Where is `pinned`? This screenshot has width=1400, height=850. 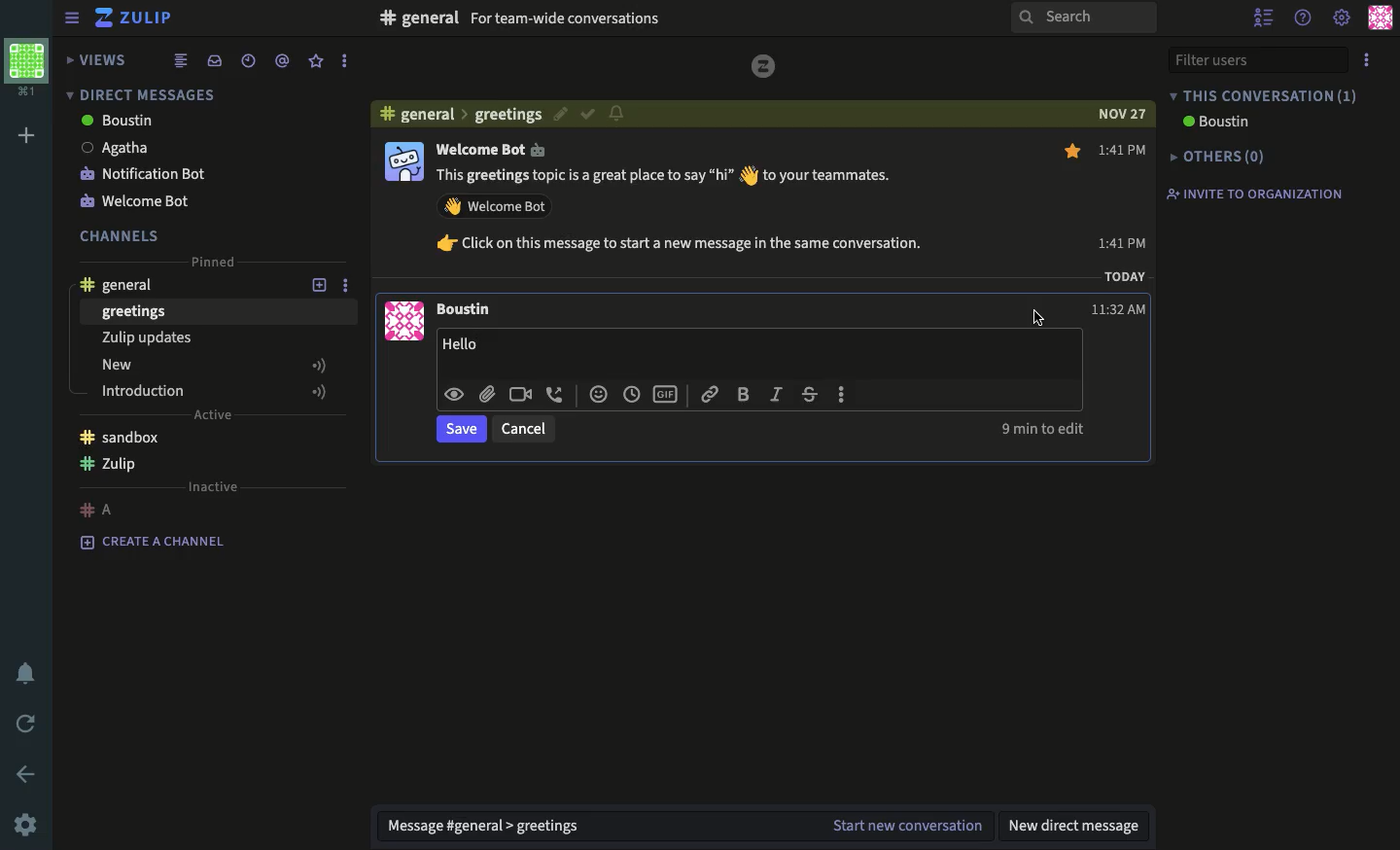 pinned is located at coordinates (215, 263).